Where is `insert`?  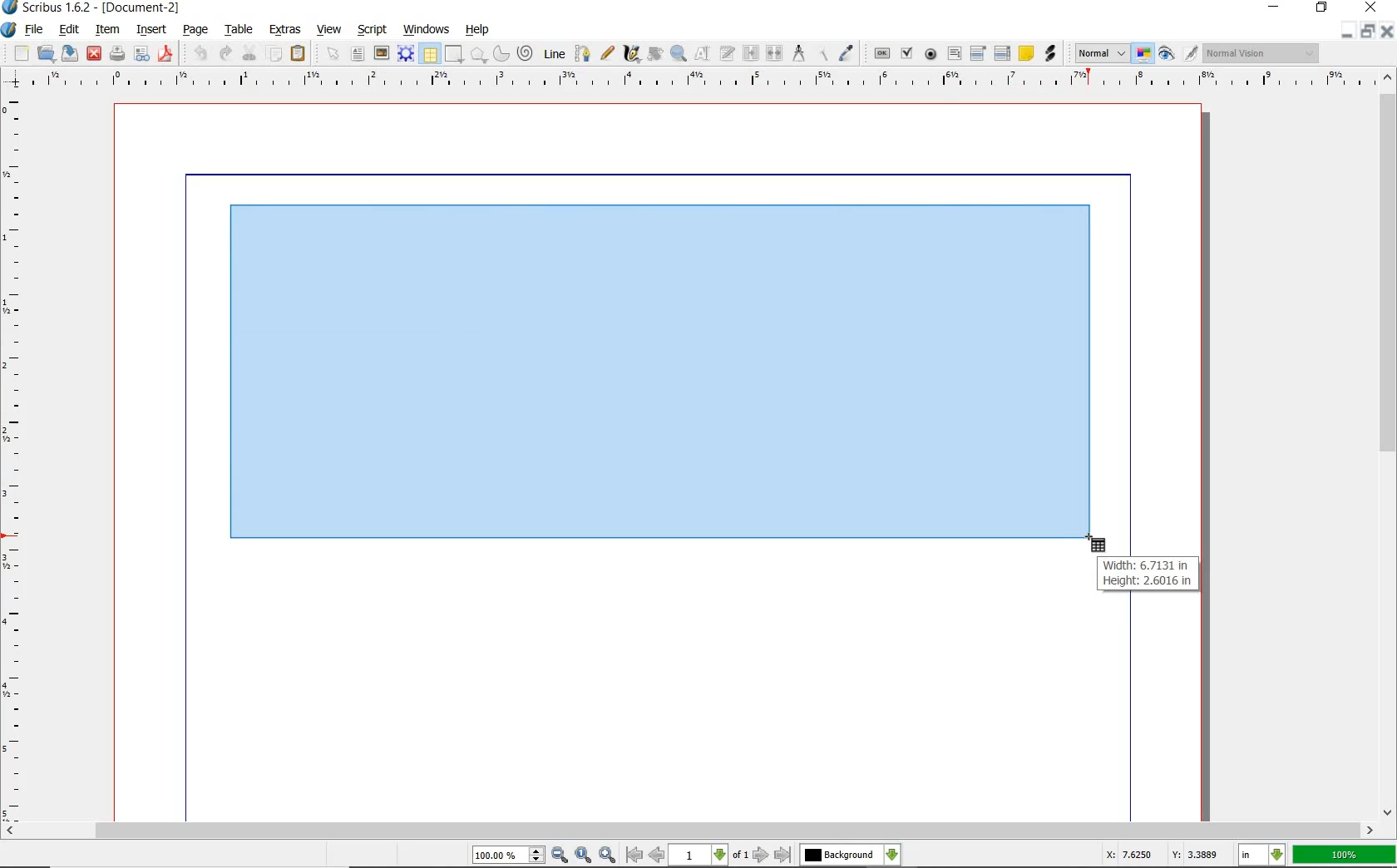 insert is located at coordinates (155, 31).